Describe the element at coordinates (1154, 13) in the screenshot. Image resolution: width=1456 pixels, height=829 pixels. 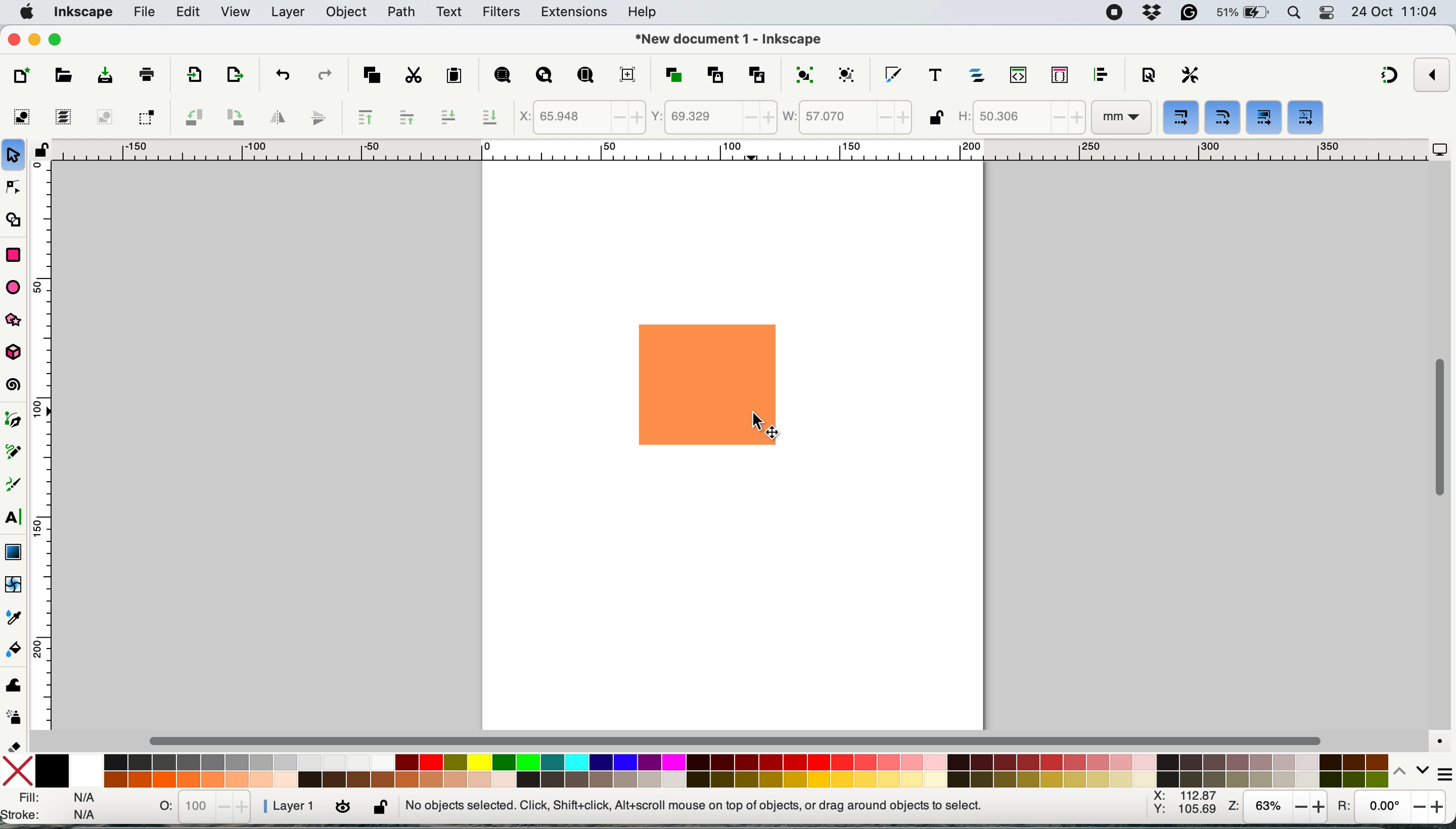
I see `dropbox` at that location.